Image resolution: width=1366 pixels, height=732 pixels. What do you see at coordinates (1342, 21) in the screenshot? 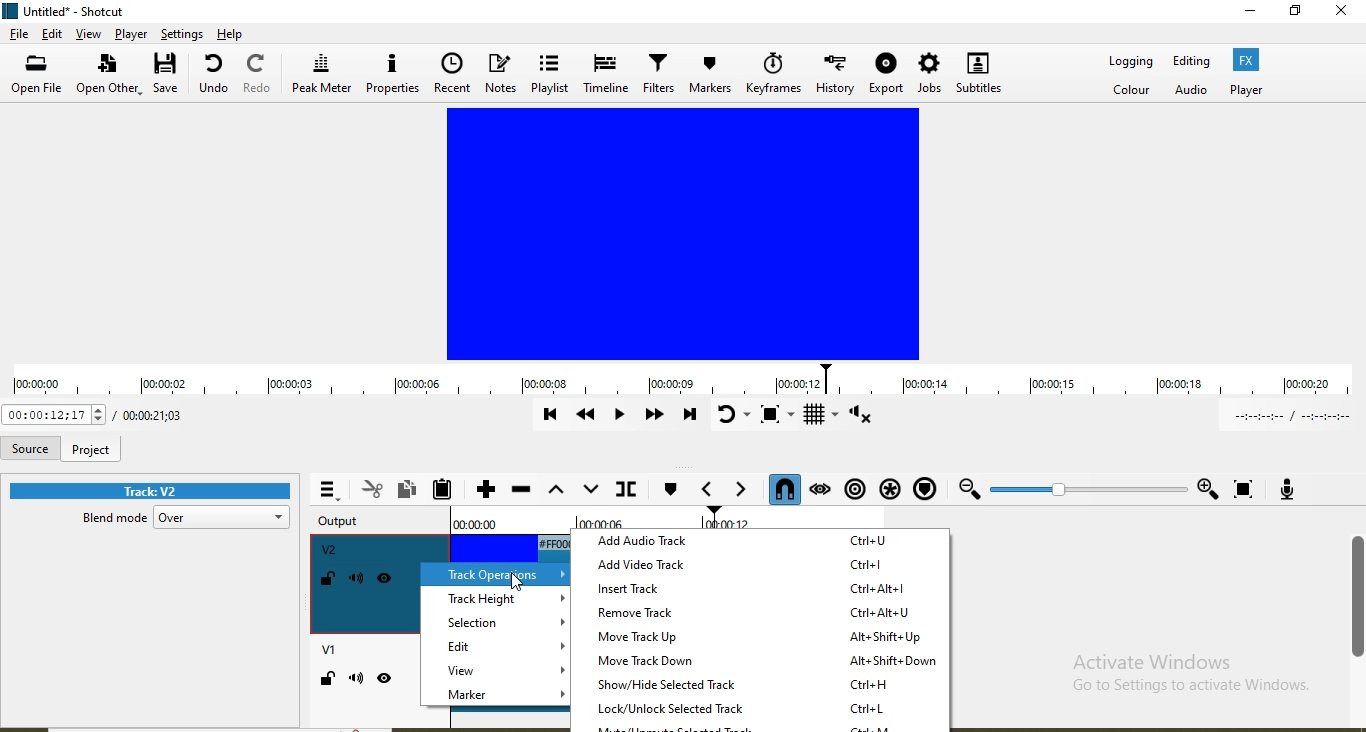
I see `close` at bounding box center [1342, 21].